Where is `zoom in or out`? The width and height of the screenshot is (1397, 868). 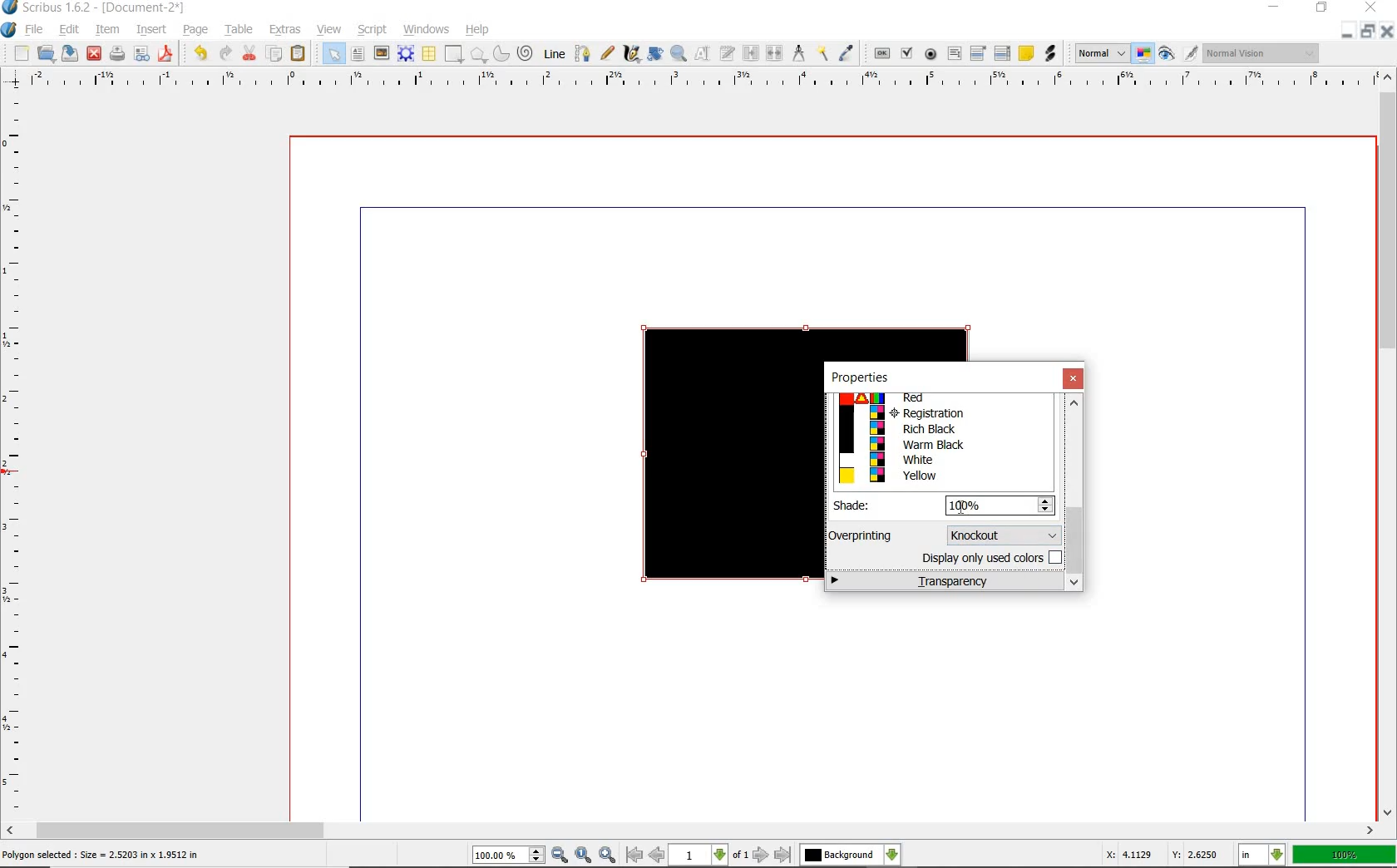 zoom in or out is located at coordinates (679, 53).